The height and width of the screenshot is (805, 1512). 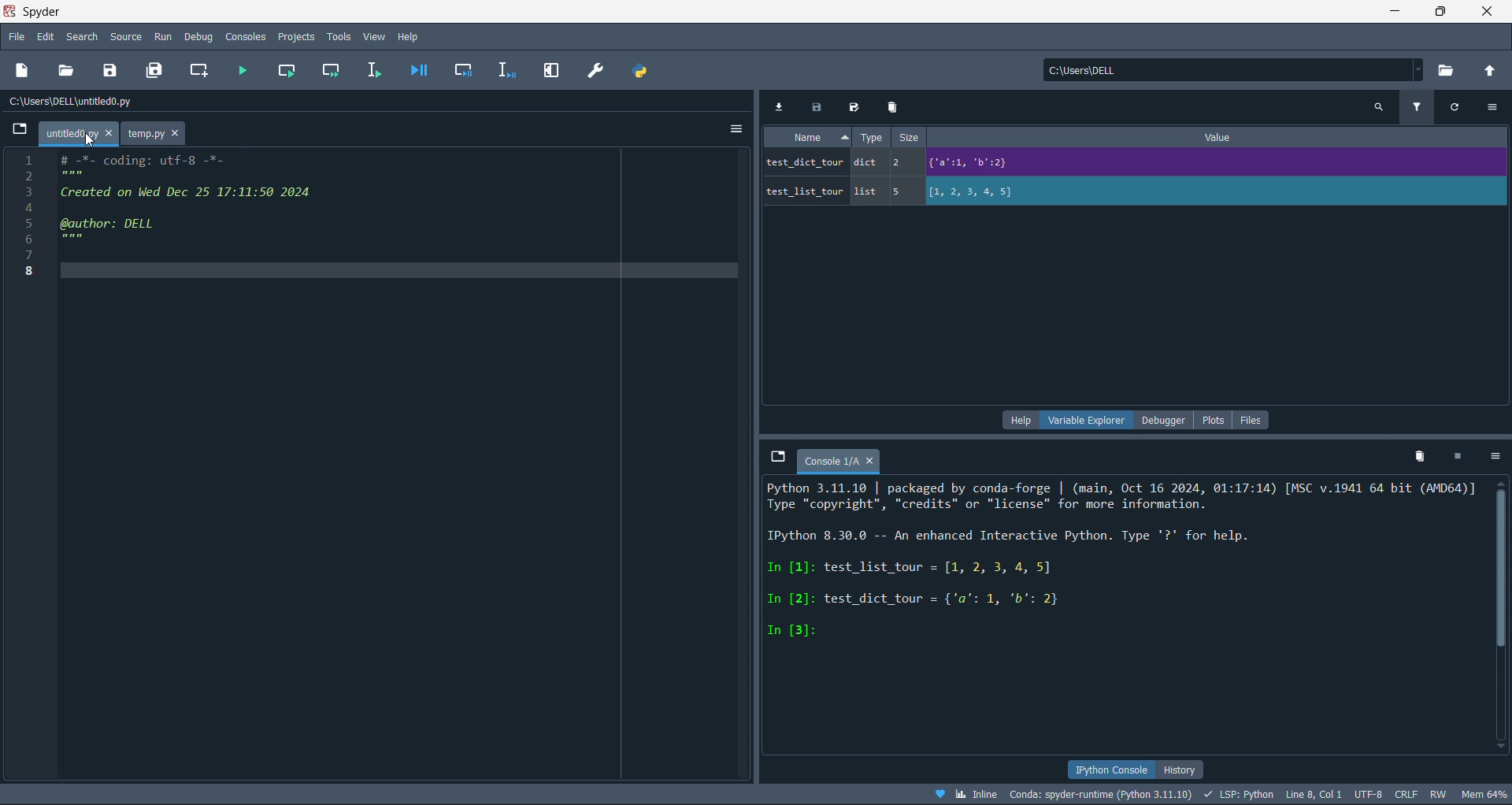 What do you see at coordinates (376, 36) in the screenshot?
I see `view` at bounding box center [376, 36].